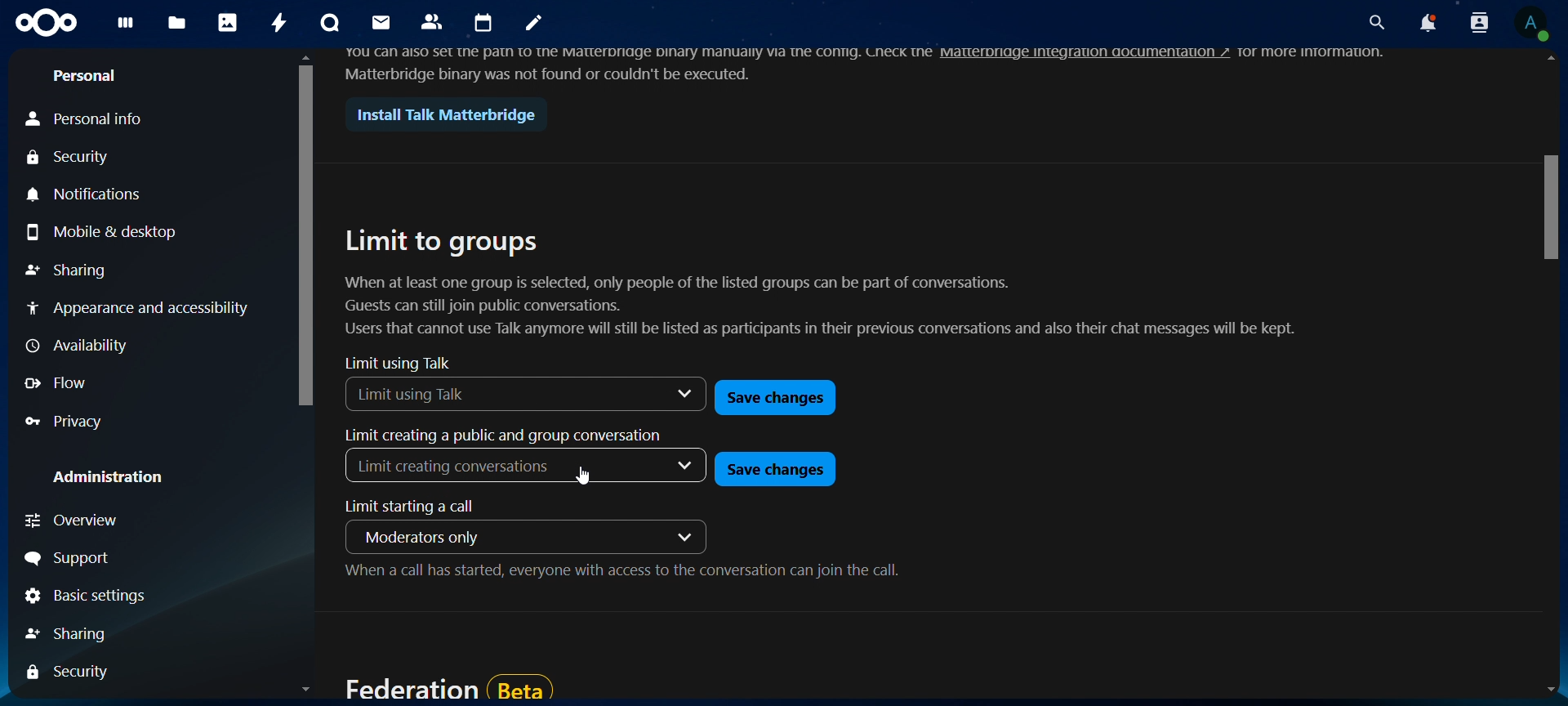 This screenshot has width=1568, height=706. I want to click on Overview, so click(149, 521).